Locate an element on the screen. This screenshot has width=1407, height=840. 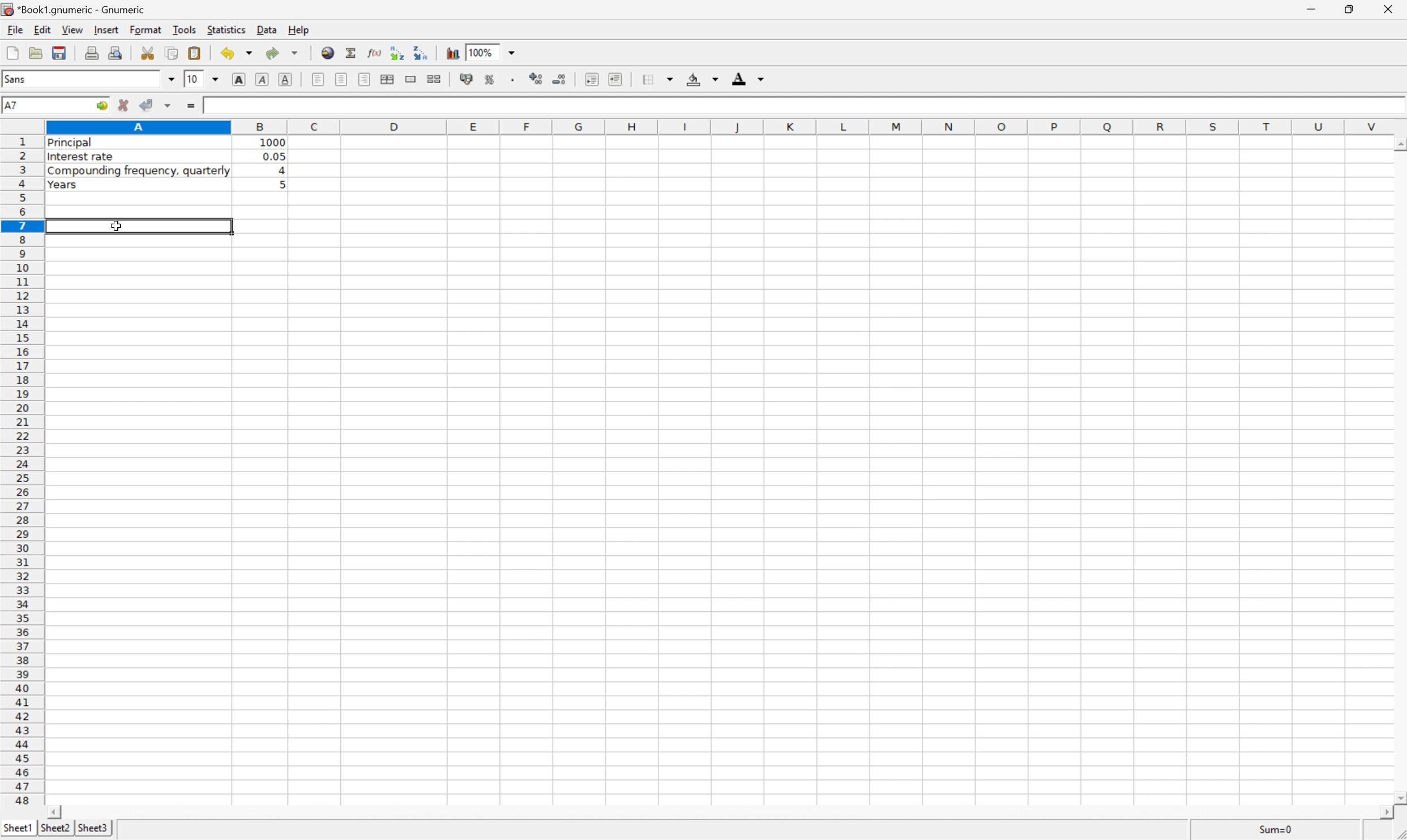
100% is located at coordinates (482, 52).